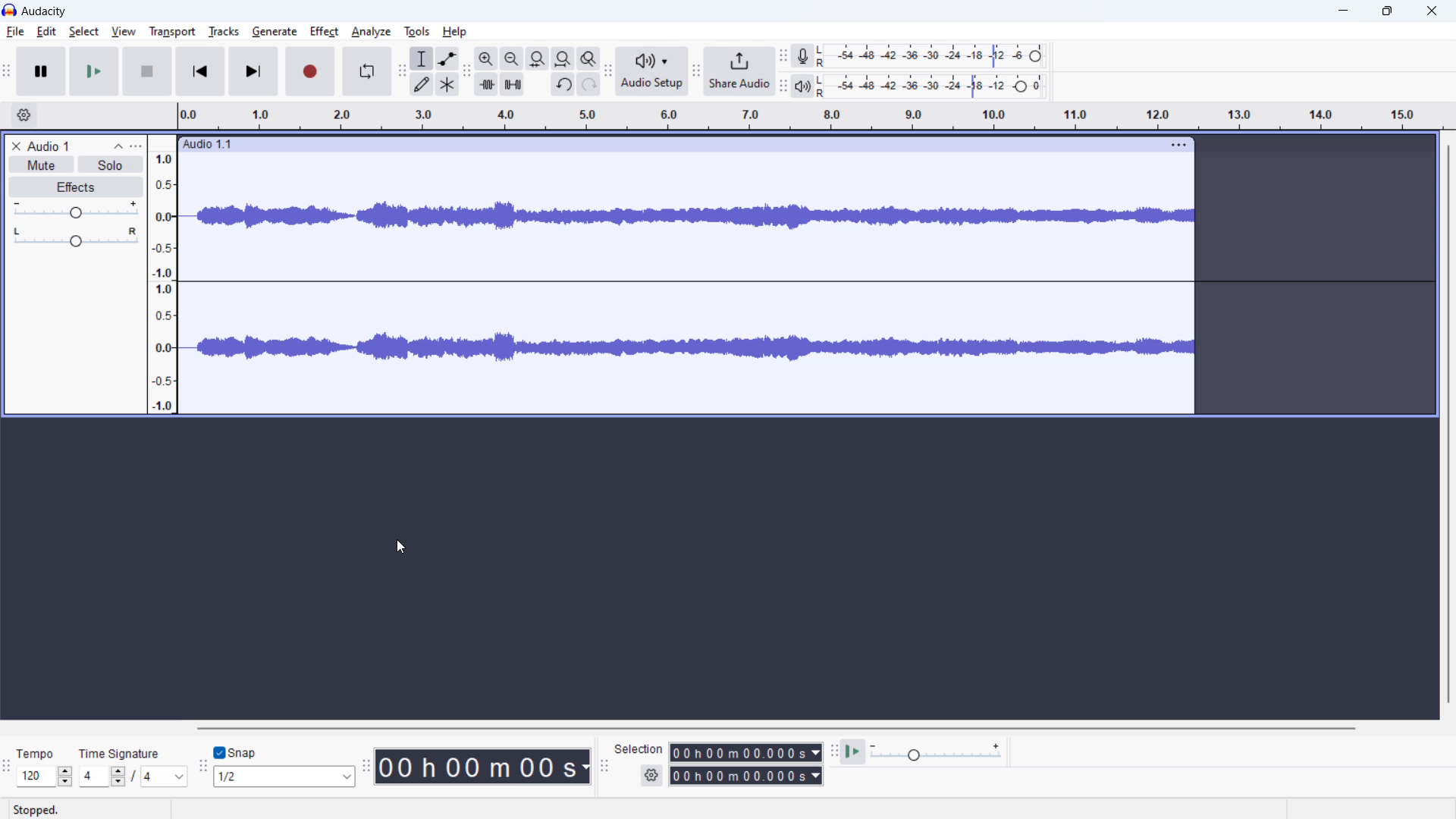  Describe the element at coordinates (16, 32) in the screenshot. I see `file` at that location.